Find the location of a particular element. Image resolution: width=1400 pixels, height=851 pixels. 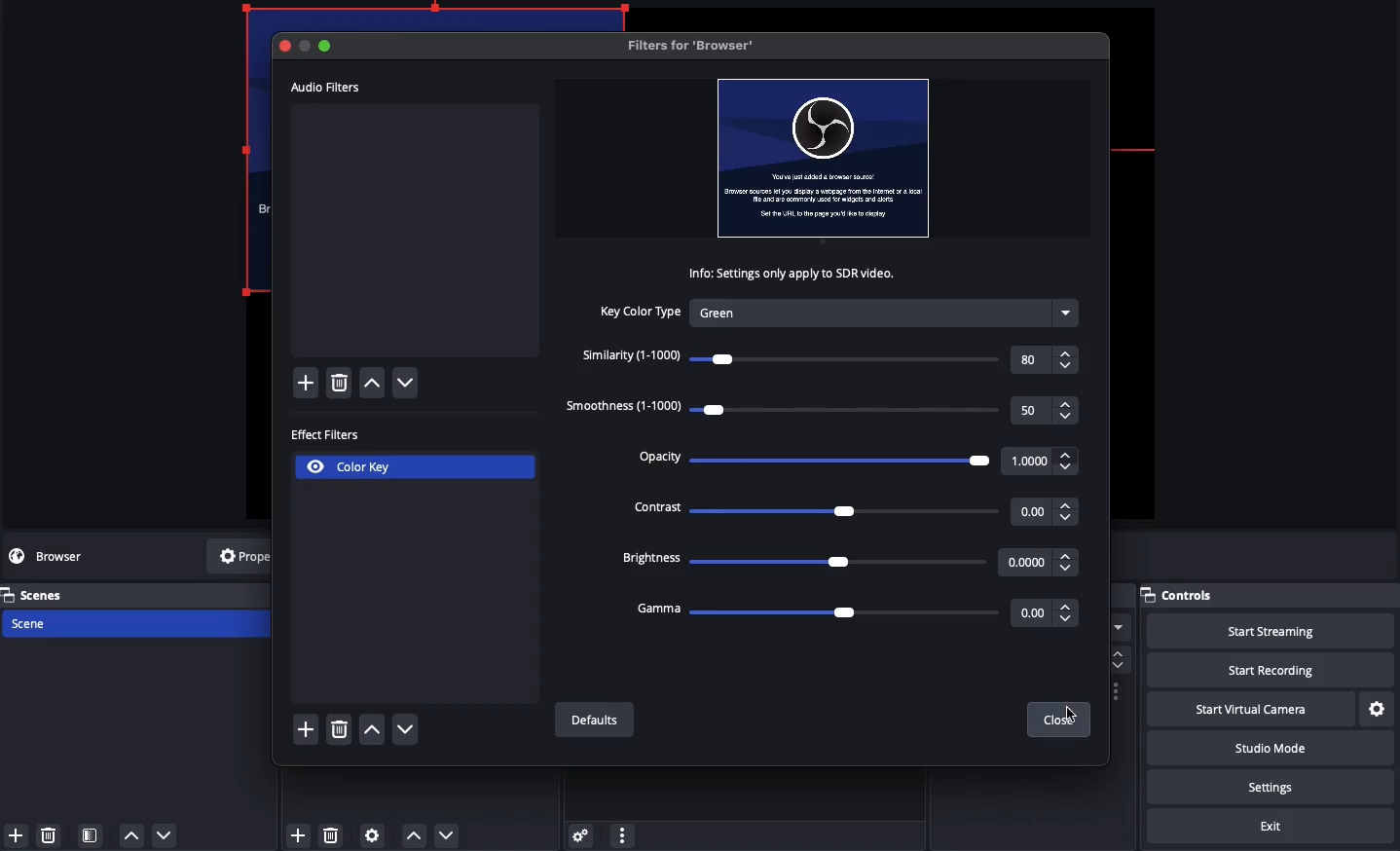

more is located at coordinates (1117, 625).